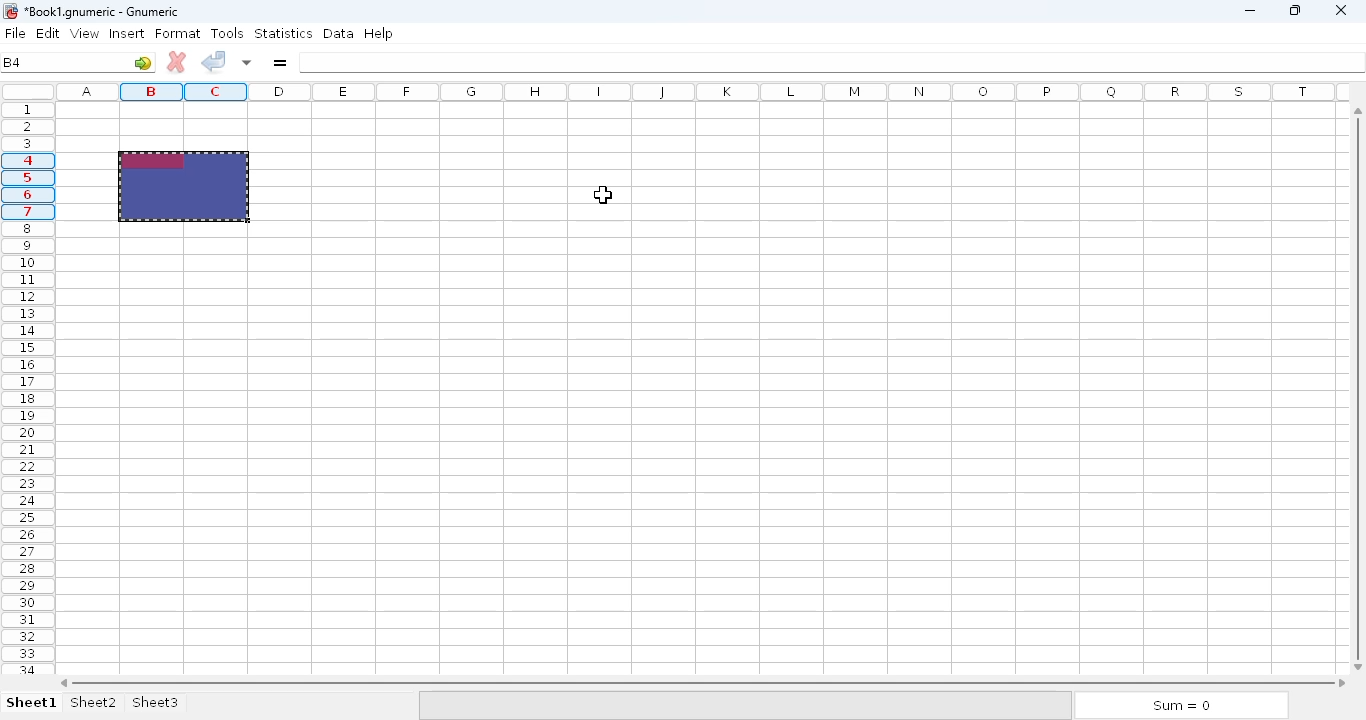 The image size is (1366, 720). What do you see at coordinates (226, 33) in the screenshot?
I see `tools` at bounding box center [226, 33].